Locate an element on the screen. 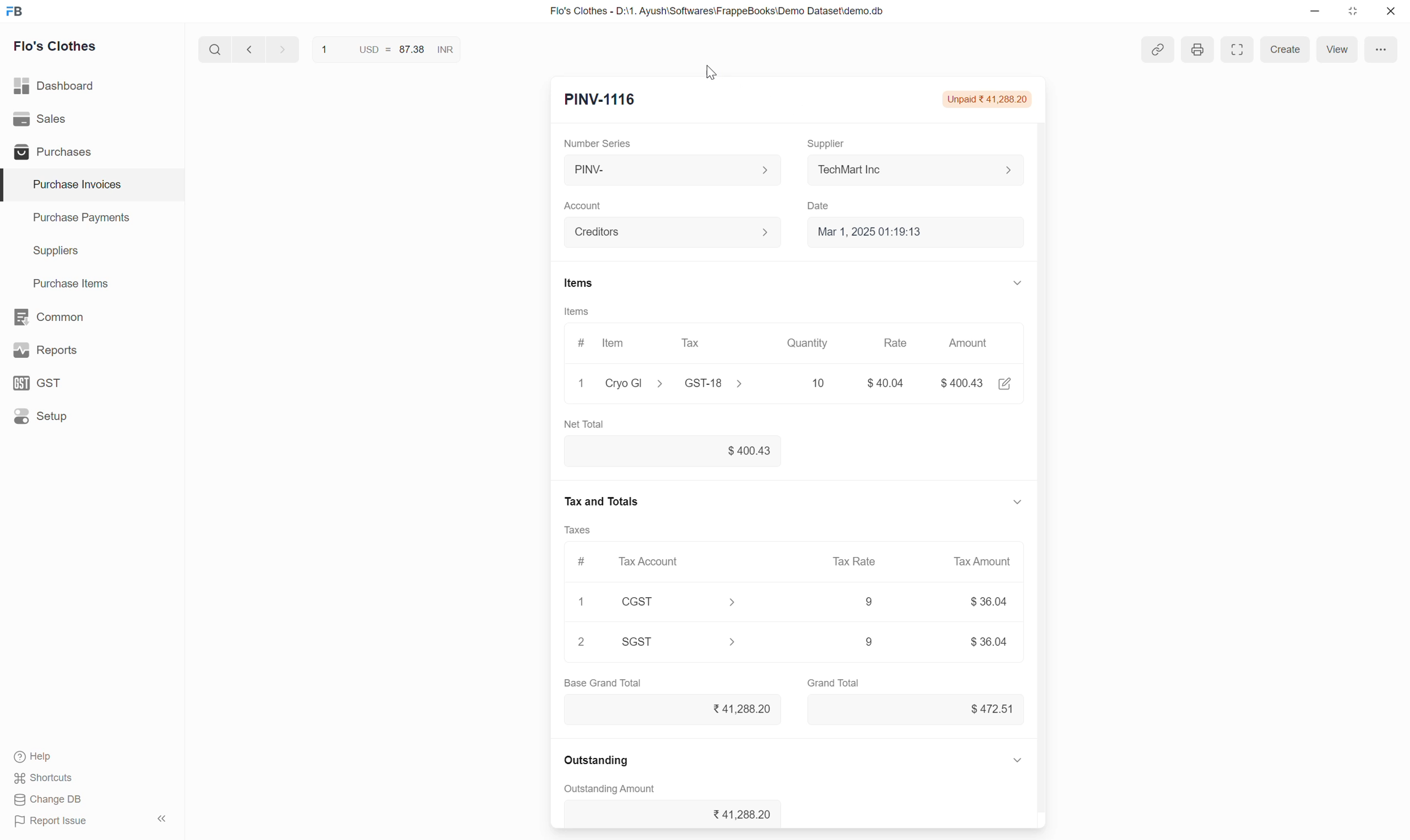 This screenshot has width=1410, height=840. New Entry is located at coordinates (599, 101).